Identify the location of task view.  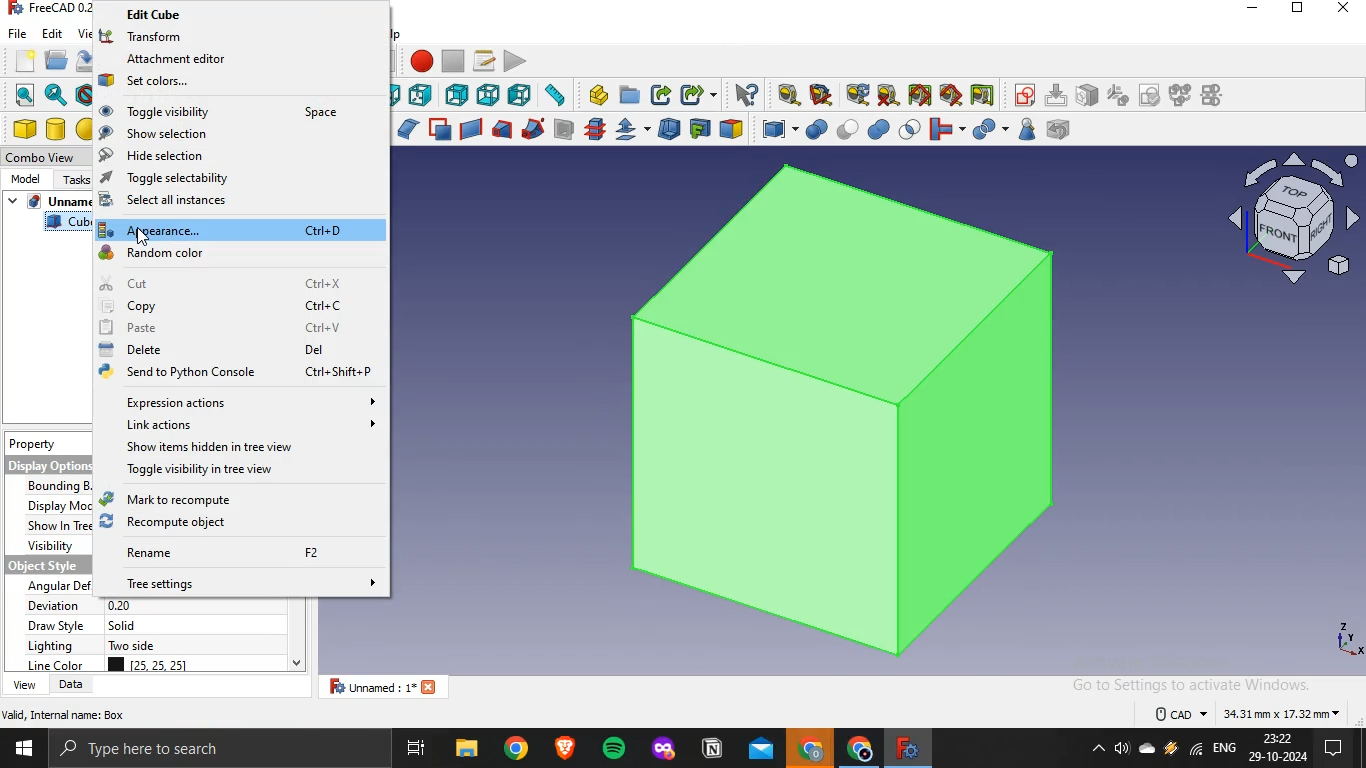
(418, 749).